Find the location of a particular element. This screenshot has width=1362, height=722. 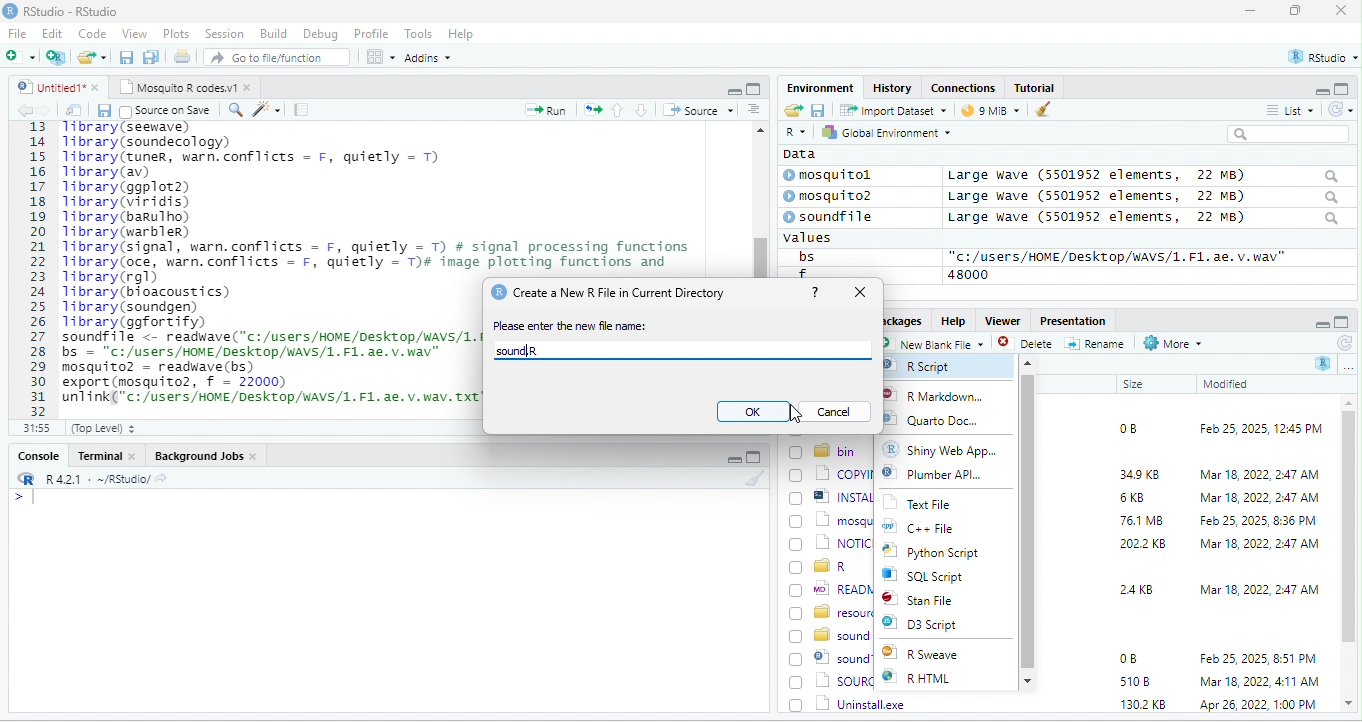

maximize is located at coordinates (1344, 320).